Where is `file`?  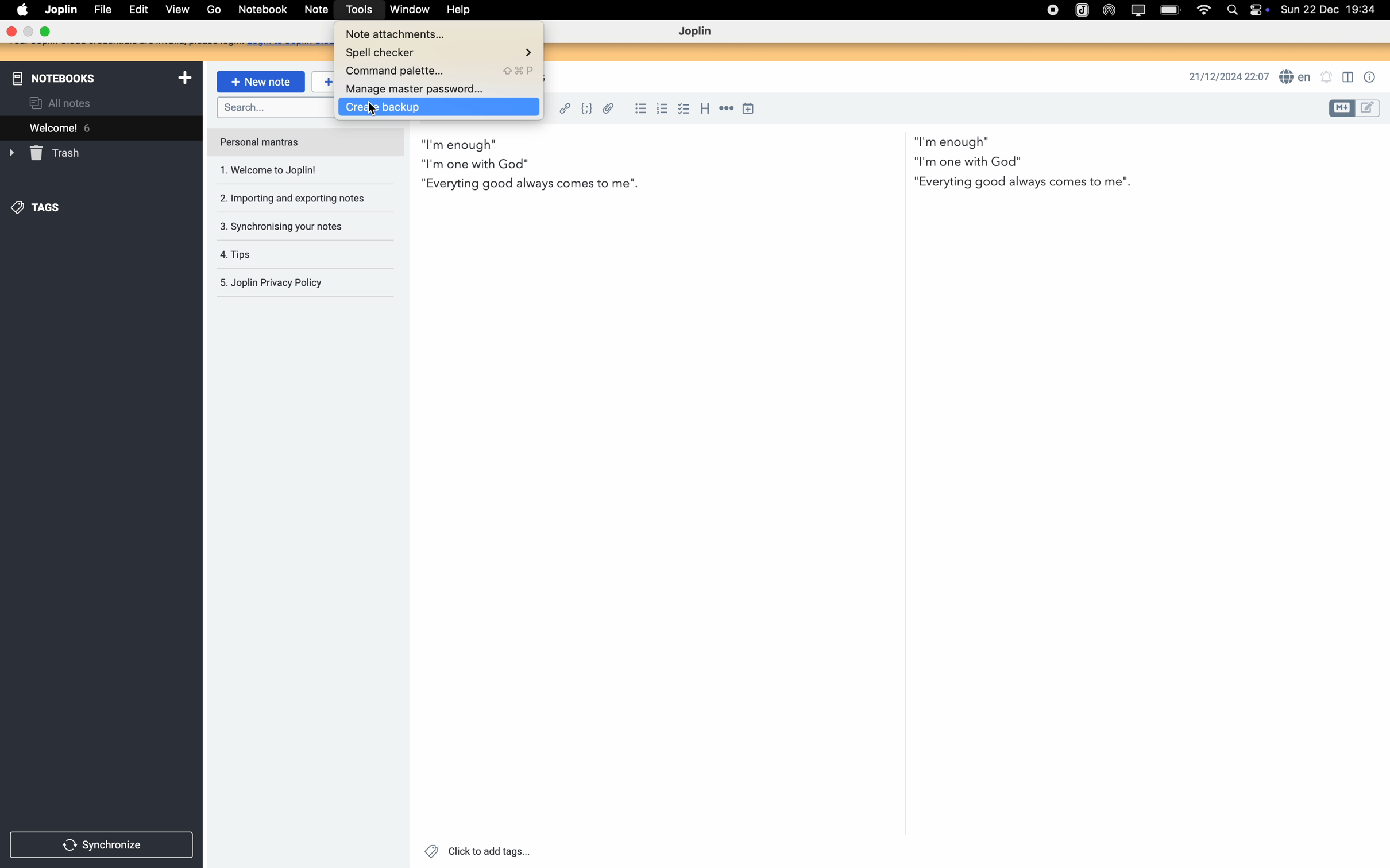
file is located at coordinates (103, 9).